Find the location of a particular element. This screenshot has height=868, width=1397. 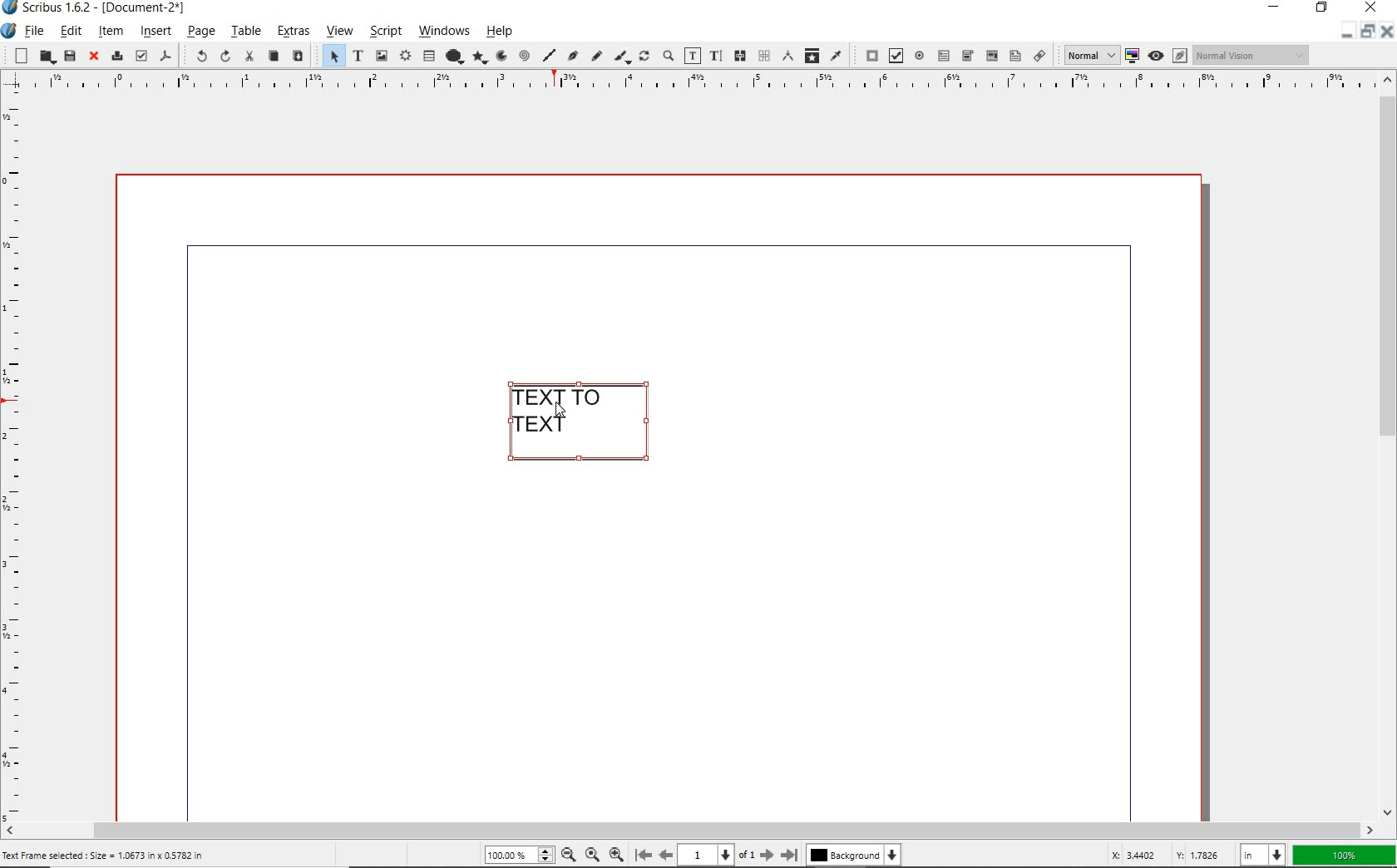

copy item properties is located at coordinates (812, 55).